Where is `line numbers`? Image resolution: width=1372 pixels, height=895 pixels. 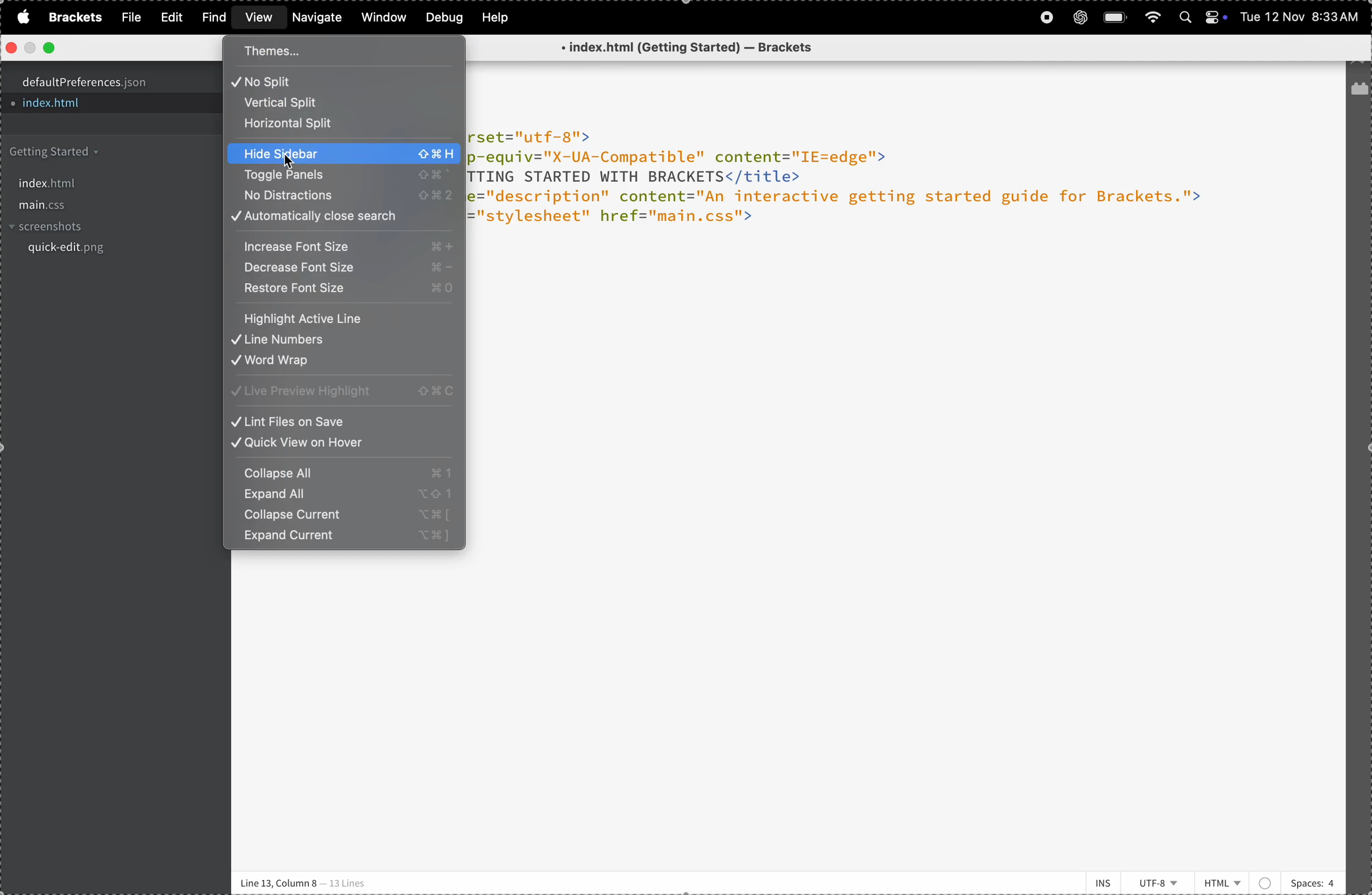 line numbers is located at coordinates (345, 341).